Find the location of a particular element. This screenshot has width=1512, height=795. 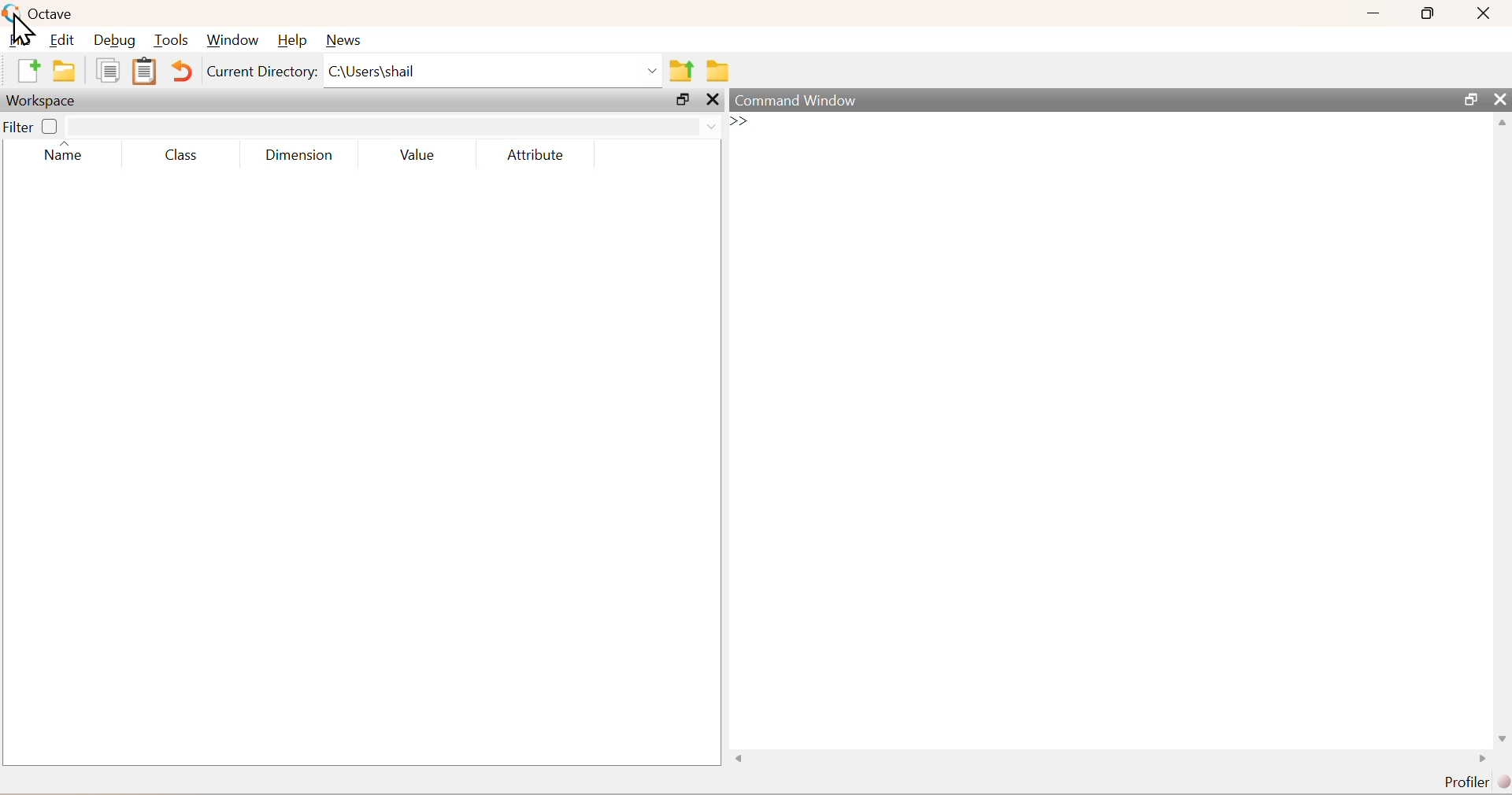

News is located at coordinates (342, 41).